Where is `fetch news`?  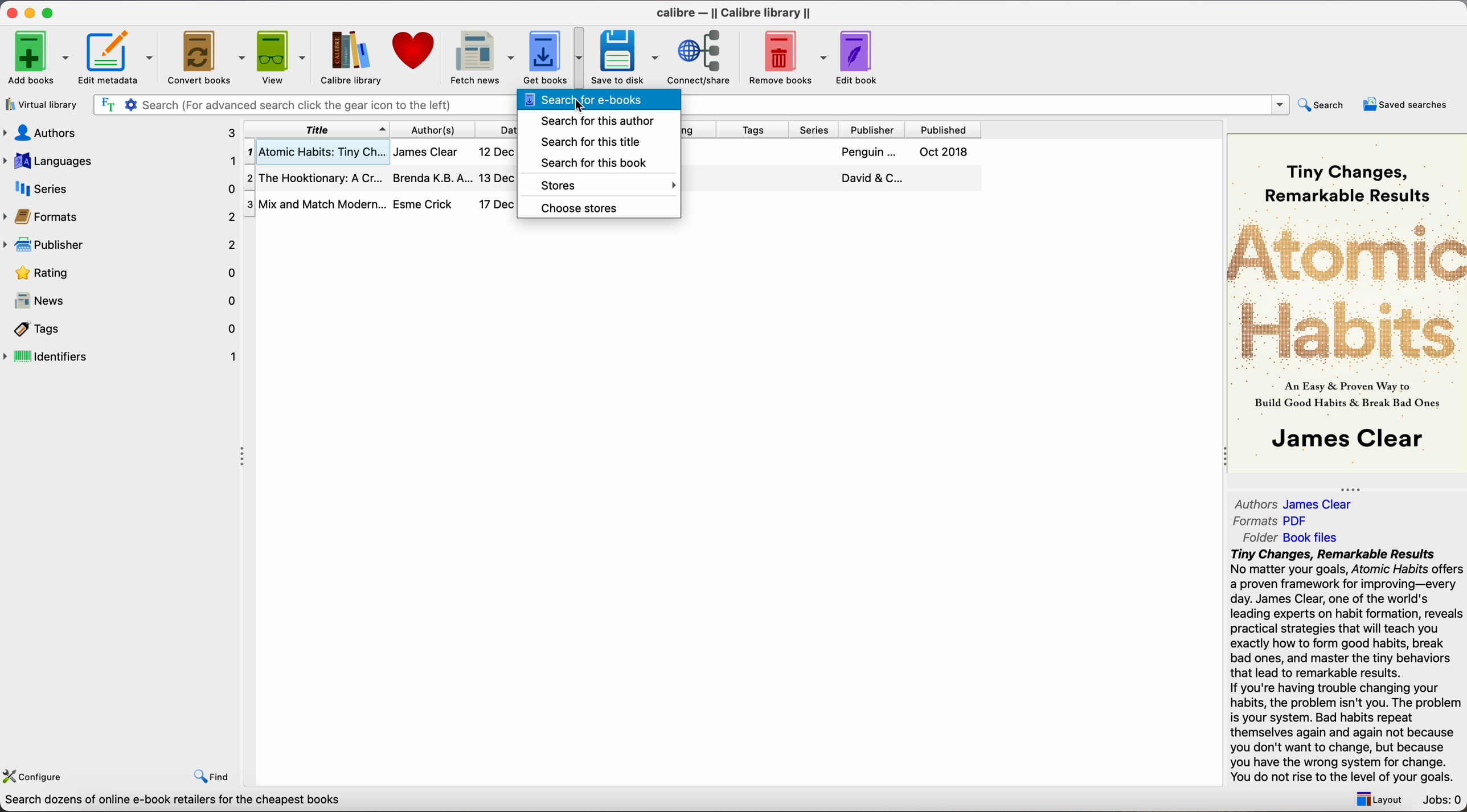 fetch news is located at coordinates (480, 58).